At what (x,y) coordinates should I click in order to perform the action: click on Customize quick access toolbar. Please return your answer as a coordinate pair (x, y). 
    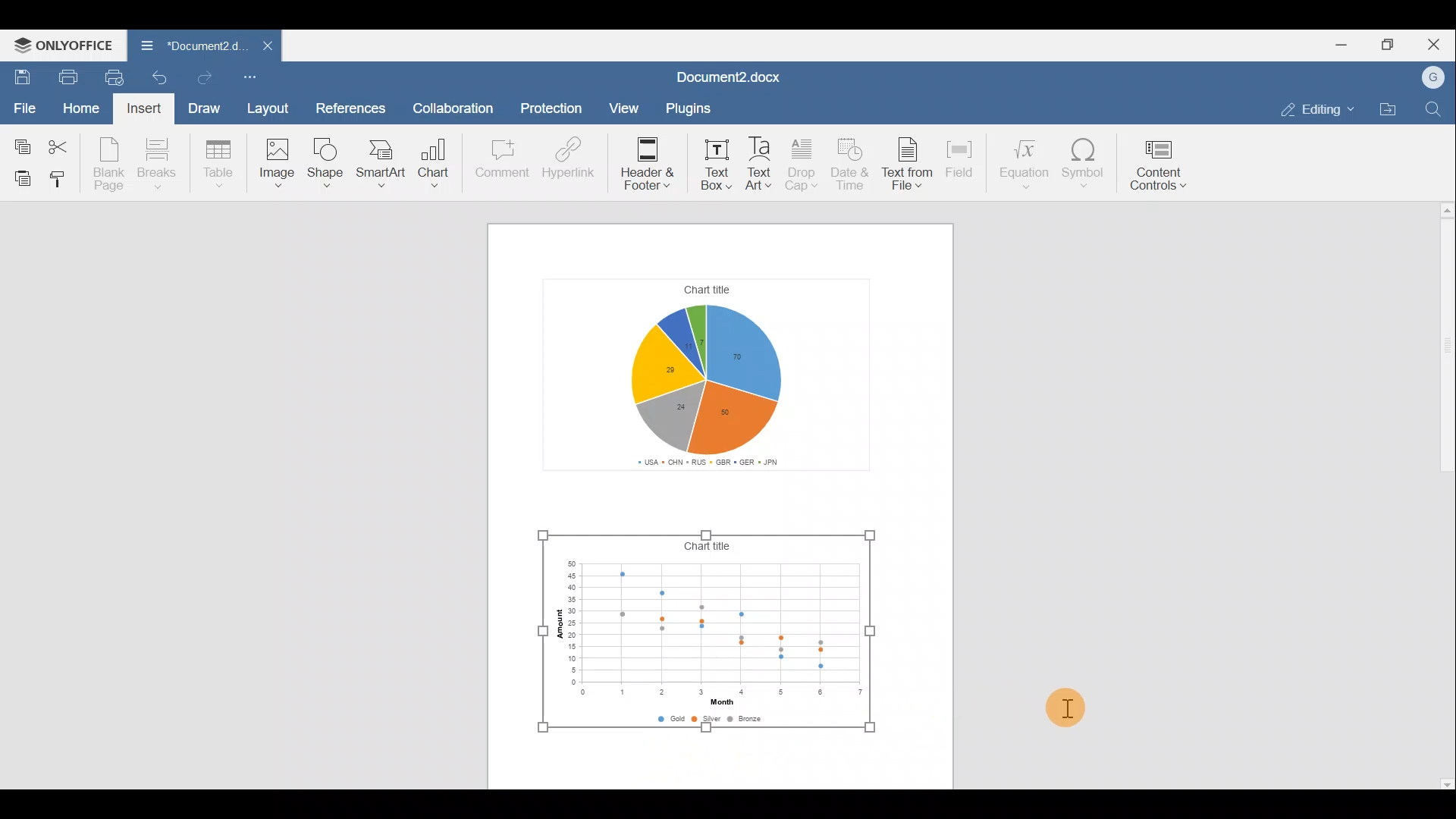
    Looking at the image, I should click on (251, 78).